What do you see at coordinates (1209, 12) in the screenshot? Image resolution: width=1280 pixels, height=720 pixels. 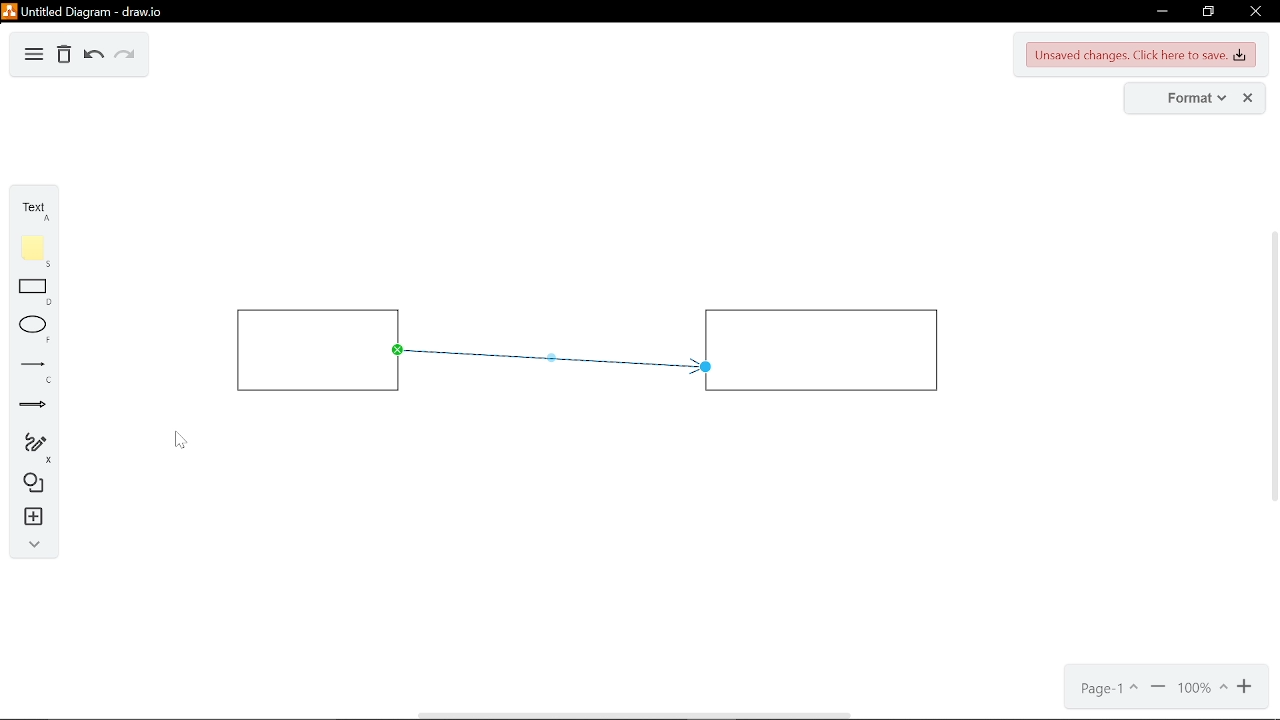 I see `restore down` at bounding box center [1209, 12].